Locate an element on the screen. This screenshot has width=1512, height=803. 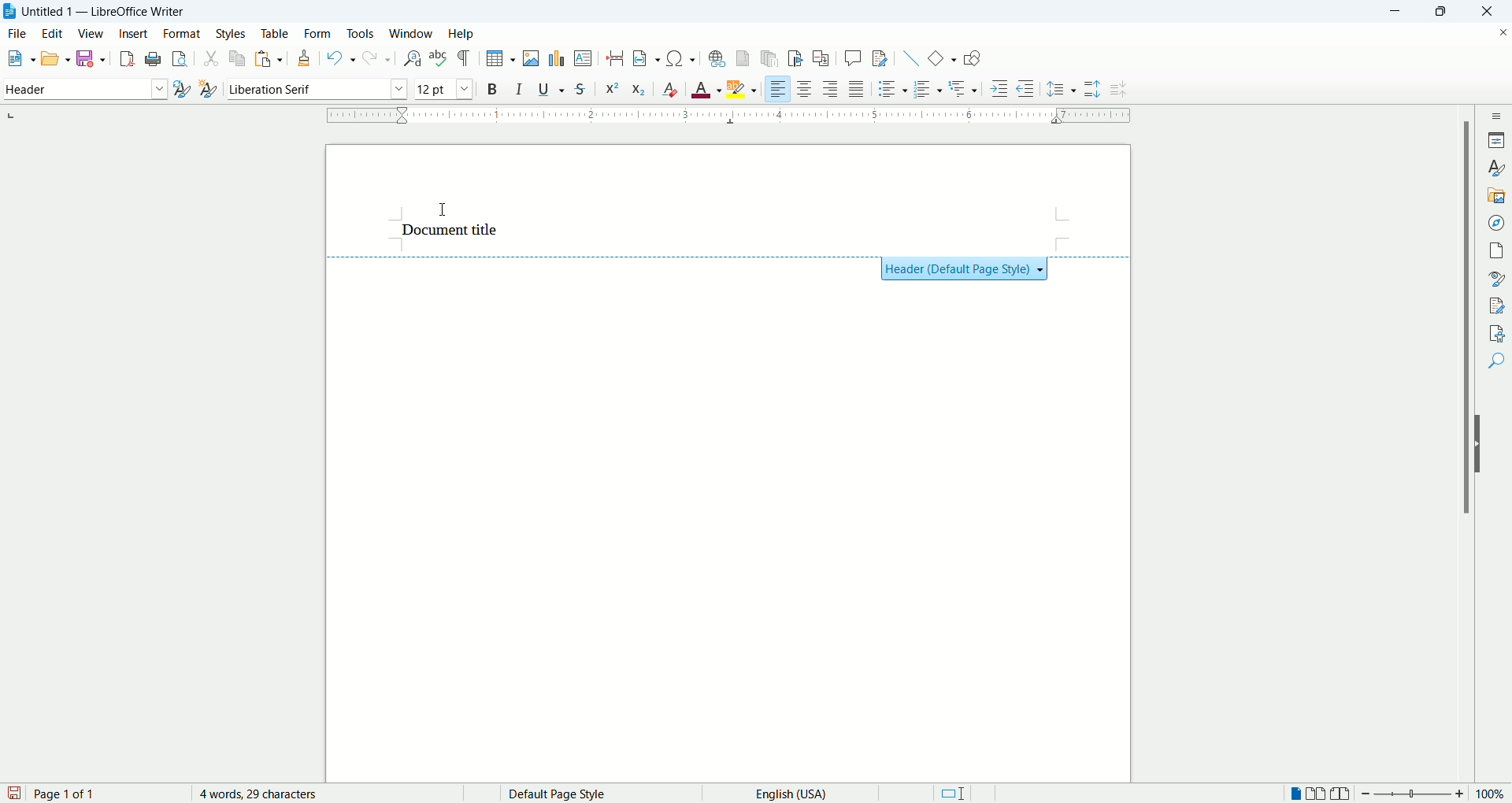
insert comment is located at coordinates (854, 57).